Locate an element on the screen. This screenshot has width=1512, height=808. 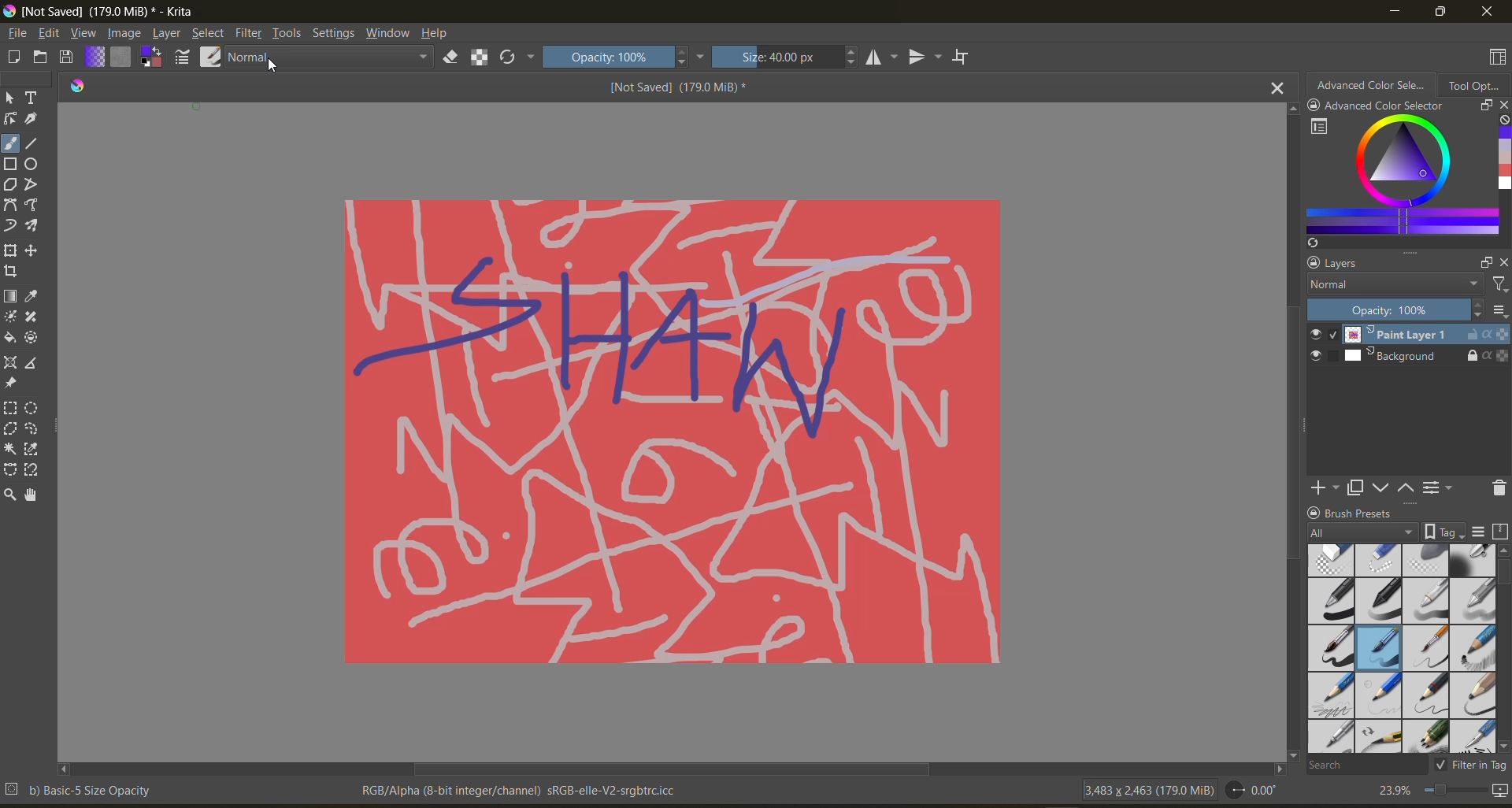
Similar color selection tool is located at coordinates (35, 449).